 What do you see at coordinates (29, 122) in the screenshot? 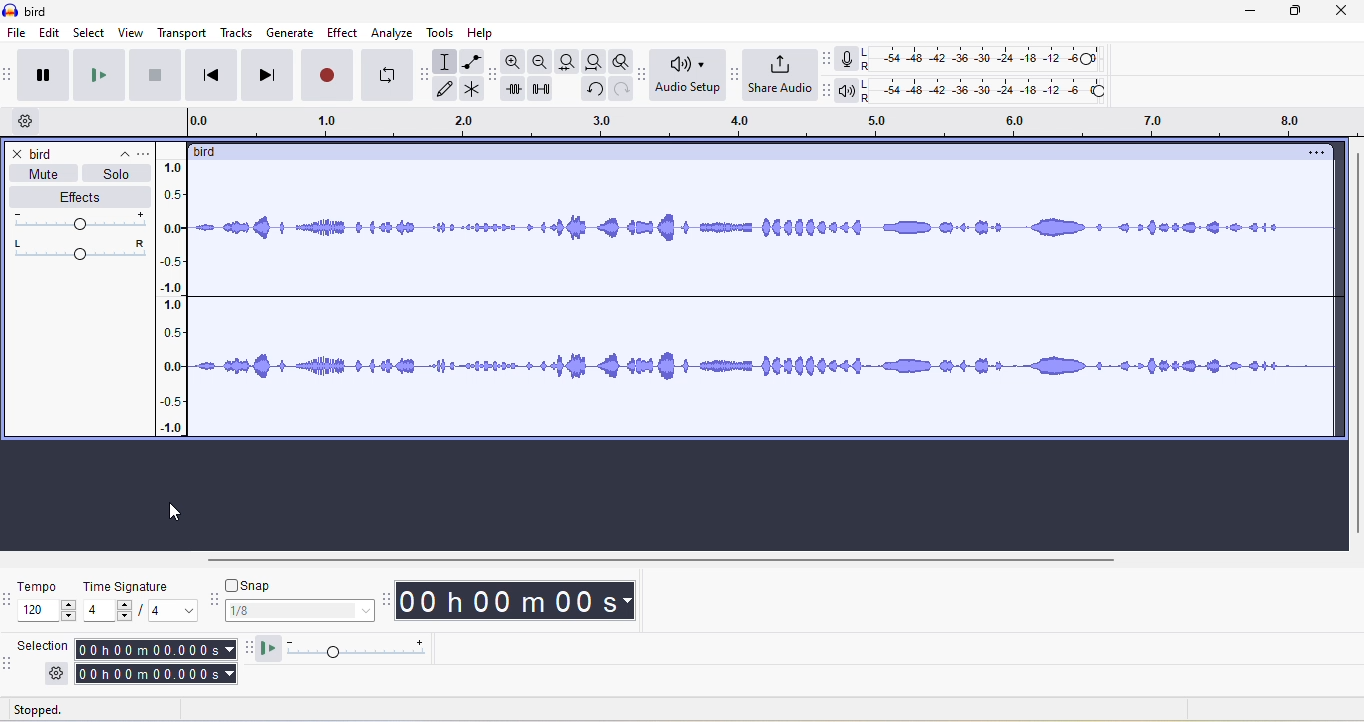
I see `timeline option` at bounding box center [29, 122].